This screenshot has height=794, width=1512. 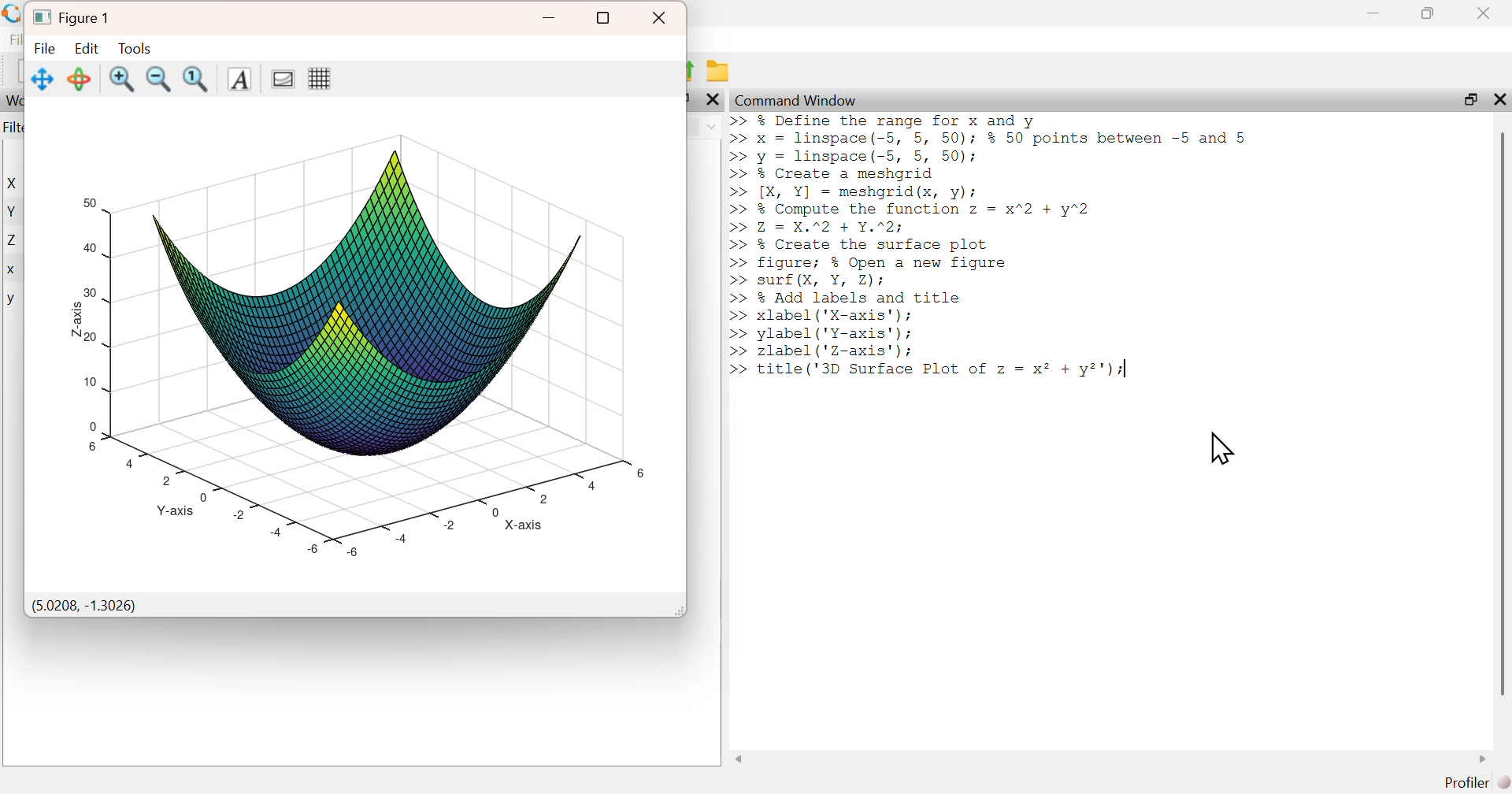 I want to click on >> % Define the range for x and y>> x = linspace(-5, 5, 50); % 50 points between -5 and 5>> y = linspace(-5, 5, 50):>> % Create a meshgrid>> [X, Y] = meshgrid(x, y):>> % Compute the function z = x"2 + y"2>> Z = X."2 + Y.2;>> % Create the surface plot>> figure; % Open a new figure>> surf (X, Y, Z):>> % Add labels and title>> xlabel ('X-axis');>> ylabel ('Y-axis');>> zlabel('Z-axis'):>> title('3D Surface Plot of z = x? + v2), so click(x=999, y=251).